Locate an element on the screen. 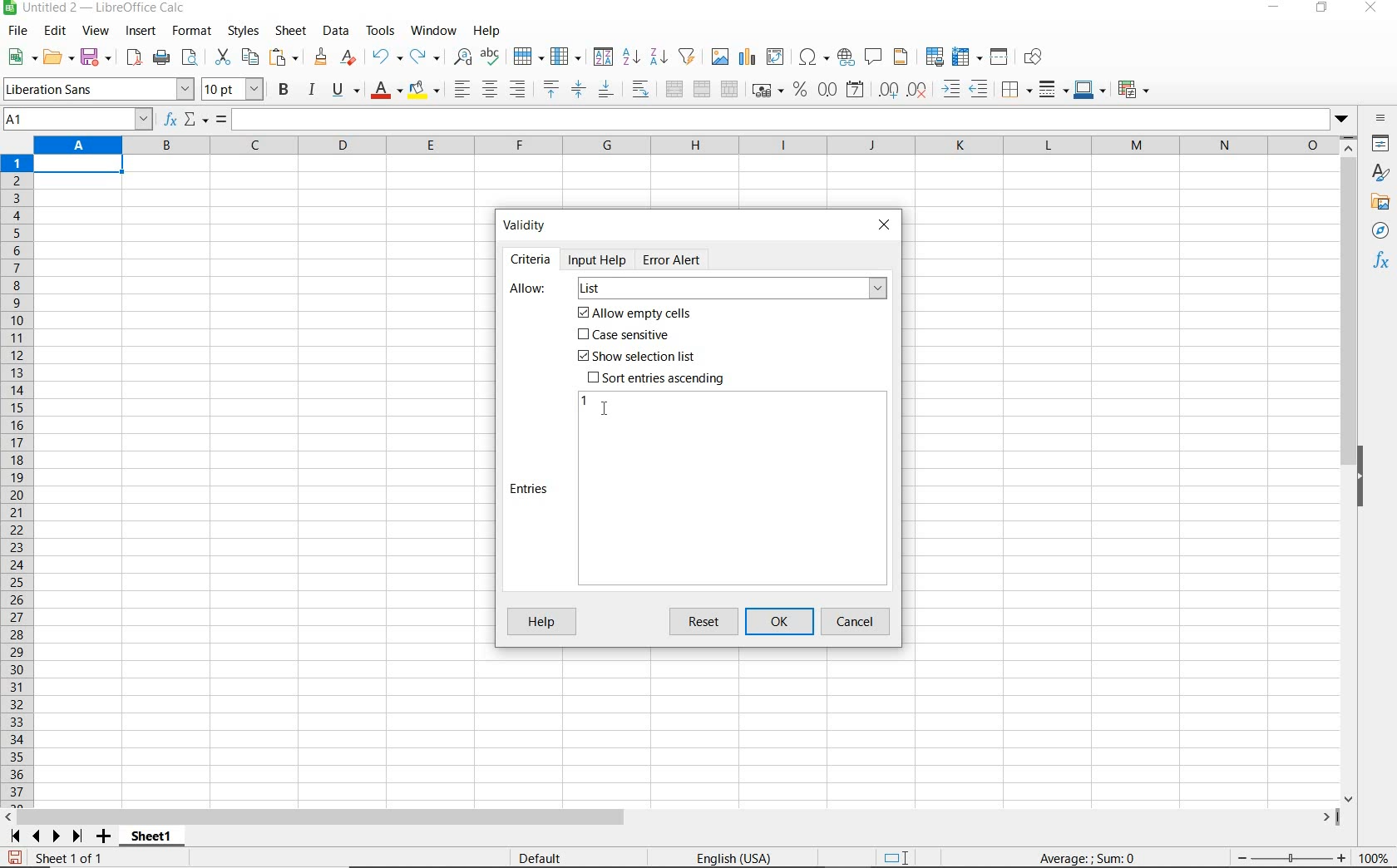  tools is located at coordinates (382, 31).